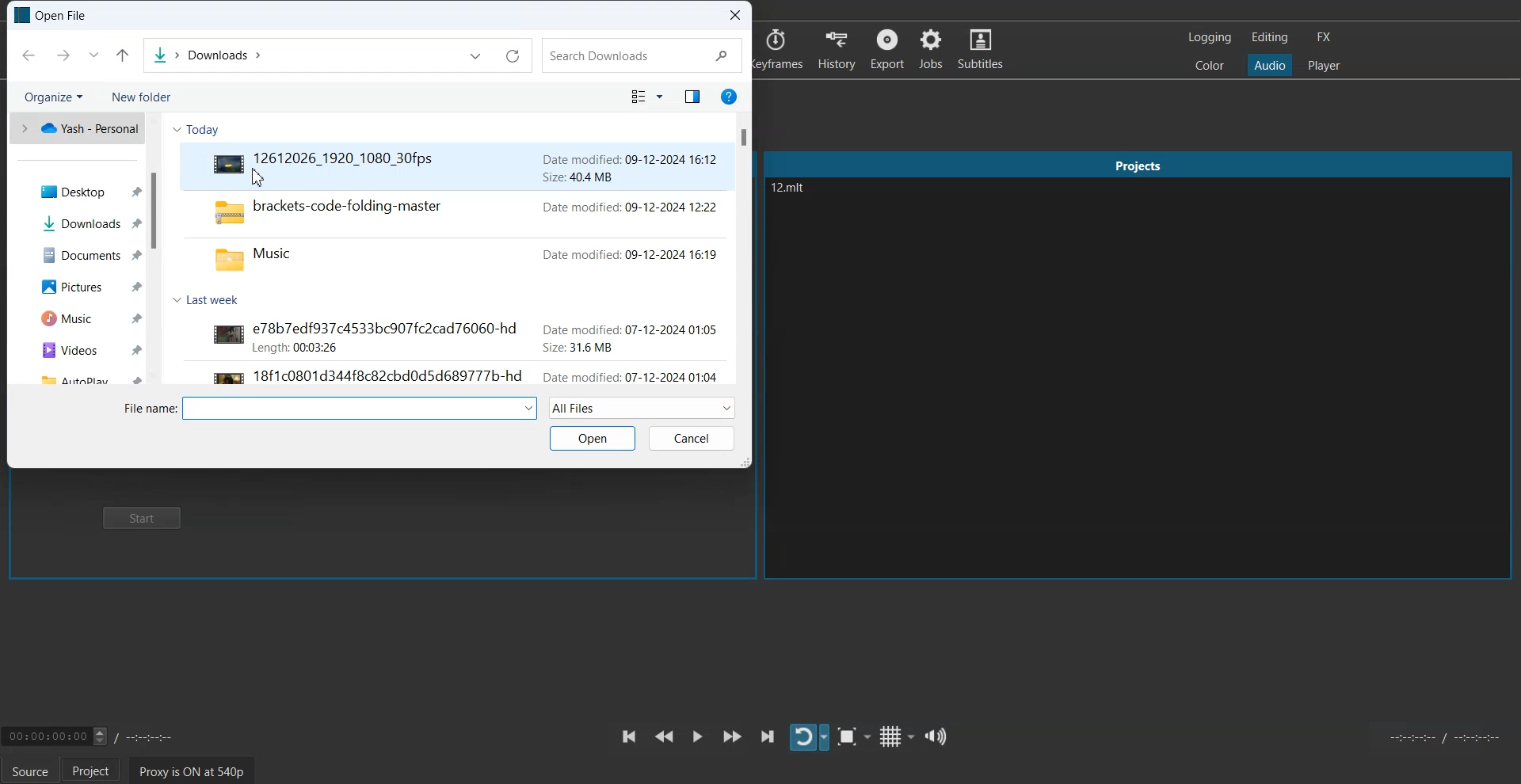 This screenshot has height=784, width=1521. What do you see at coordinates (664, 736) in the screenshot?
I see `Play quickly backwards` at bounding box center [664, 736].